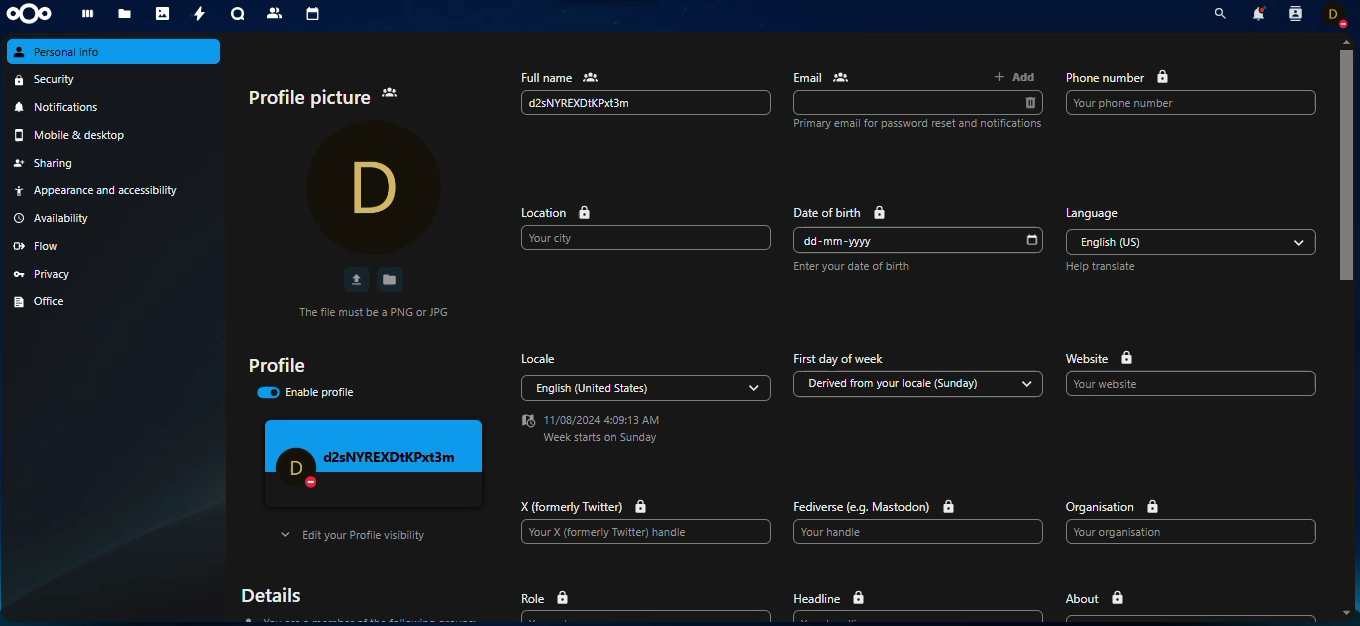  What do you see at coordinates (600, 437) in the screenshot?
I see `Week starts on Sunday` at bounding box center [600, 437].